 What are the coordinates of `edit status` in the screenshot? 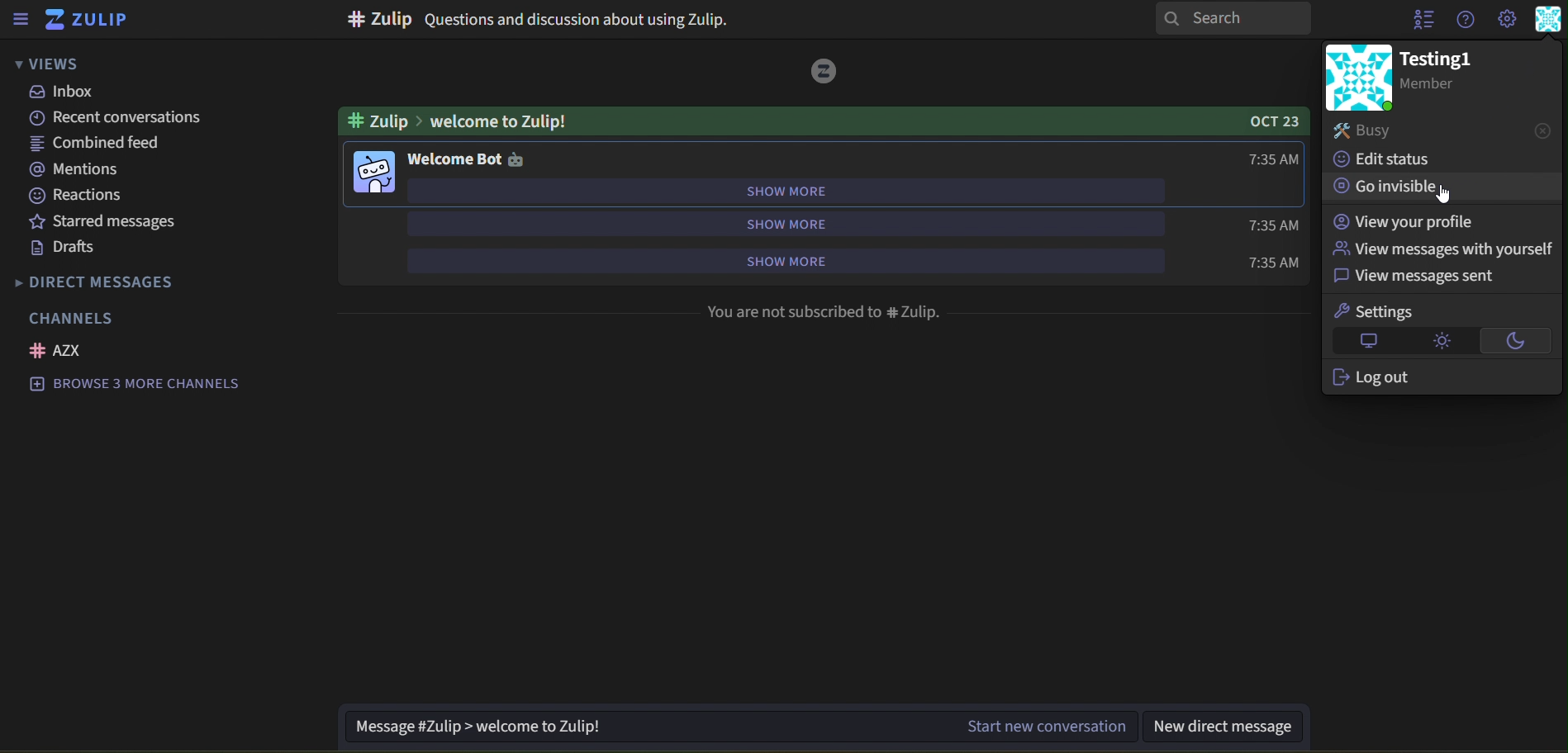 It's located at (1391, 160).